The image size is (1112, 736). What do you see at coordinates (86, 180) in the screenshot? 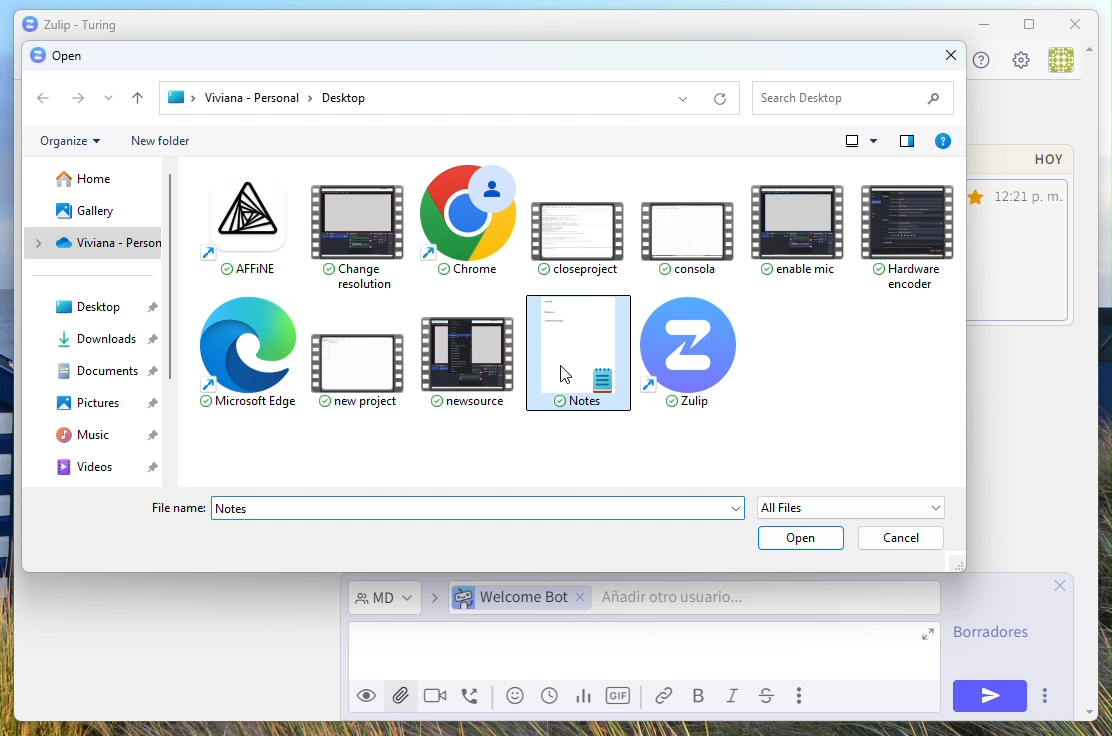
I see `Home` at bounding box center [86, 180].